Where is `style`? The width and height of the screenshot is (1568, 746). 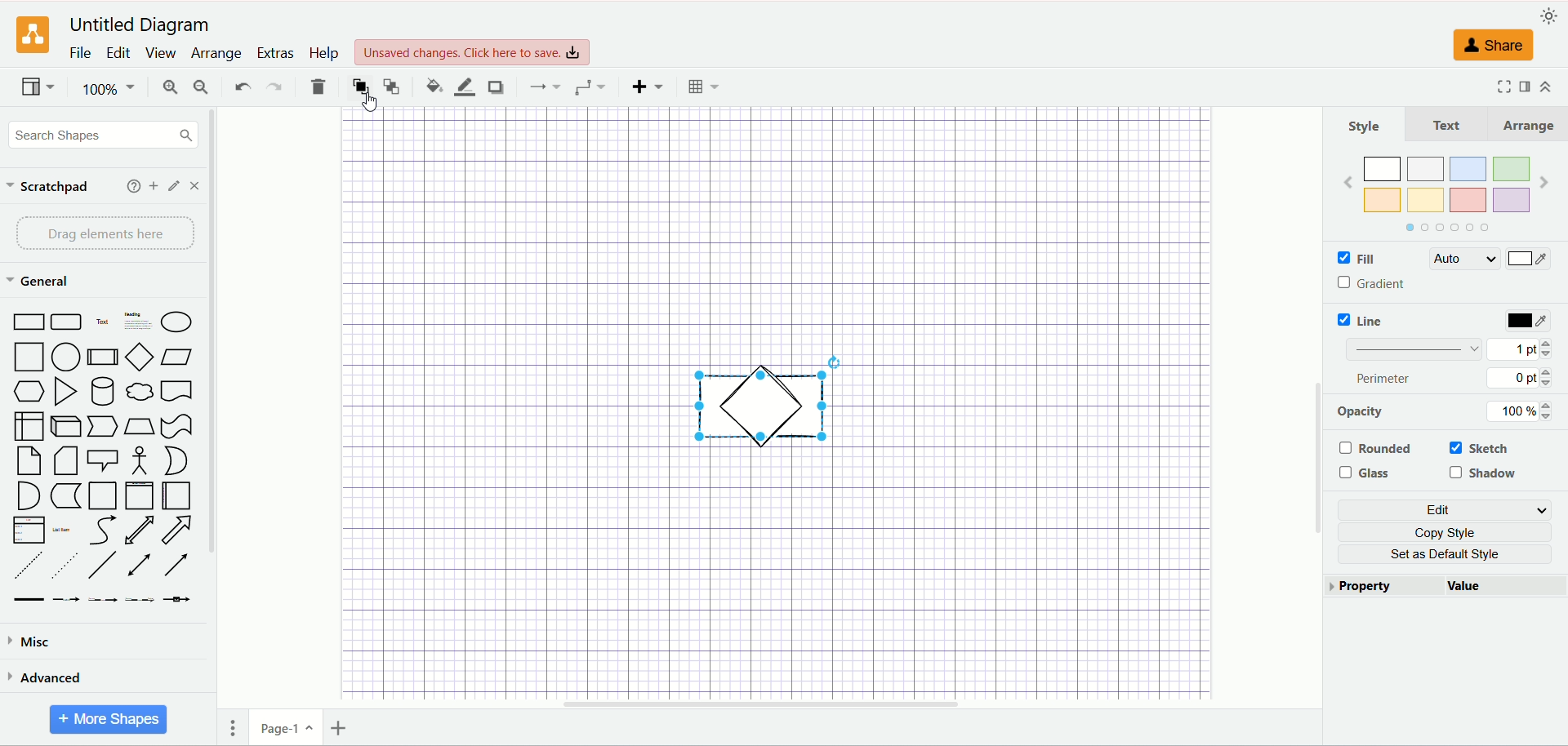 style is located at coordinates (1365, 124).